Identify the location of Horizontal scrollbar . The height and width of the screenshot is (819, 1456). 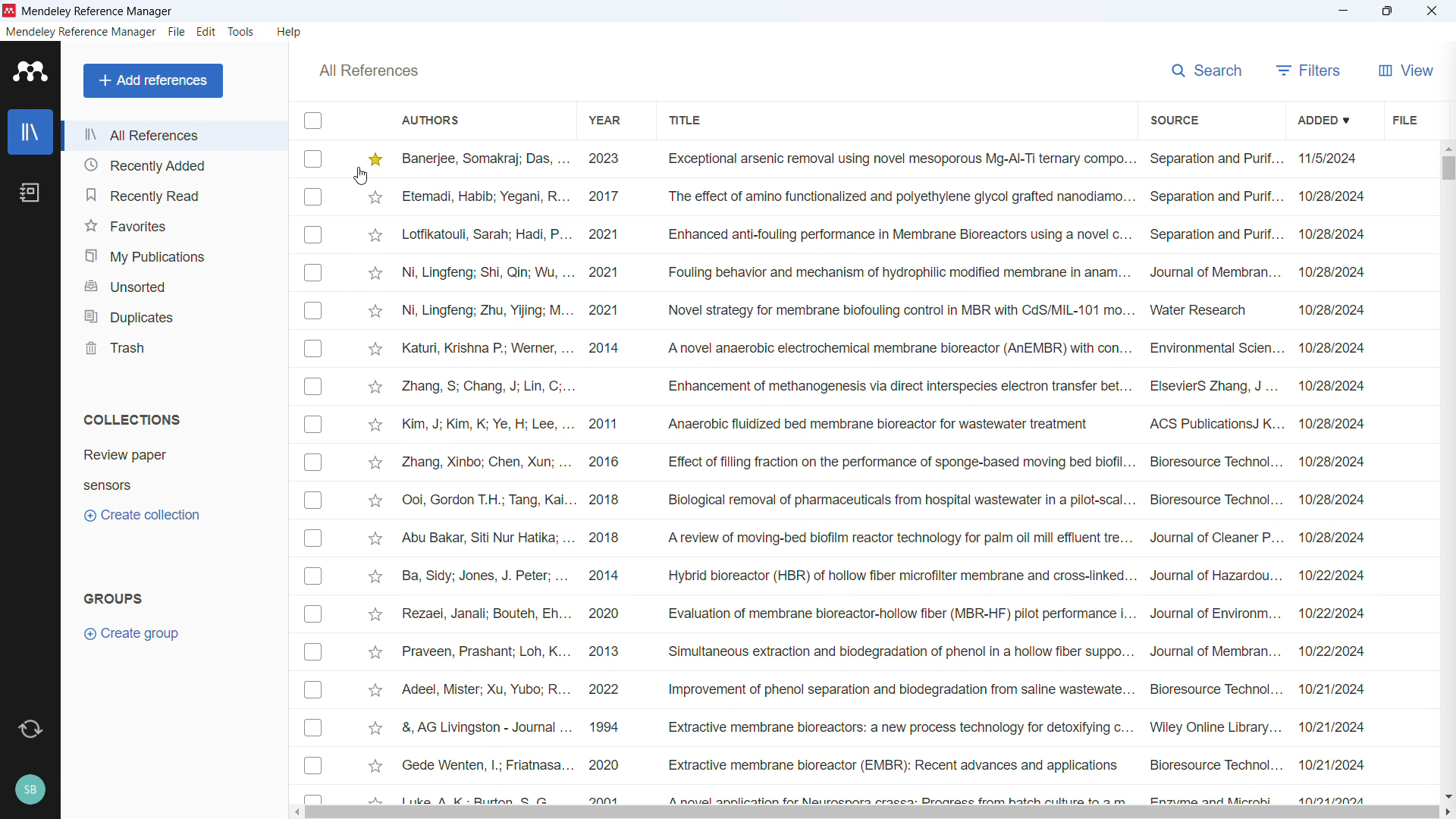
(871, 812).